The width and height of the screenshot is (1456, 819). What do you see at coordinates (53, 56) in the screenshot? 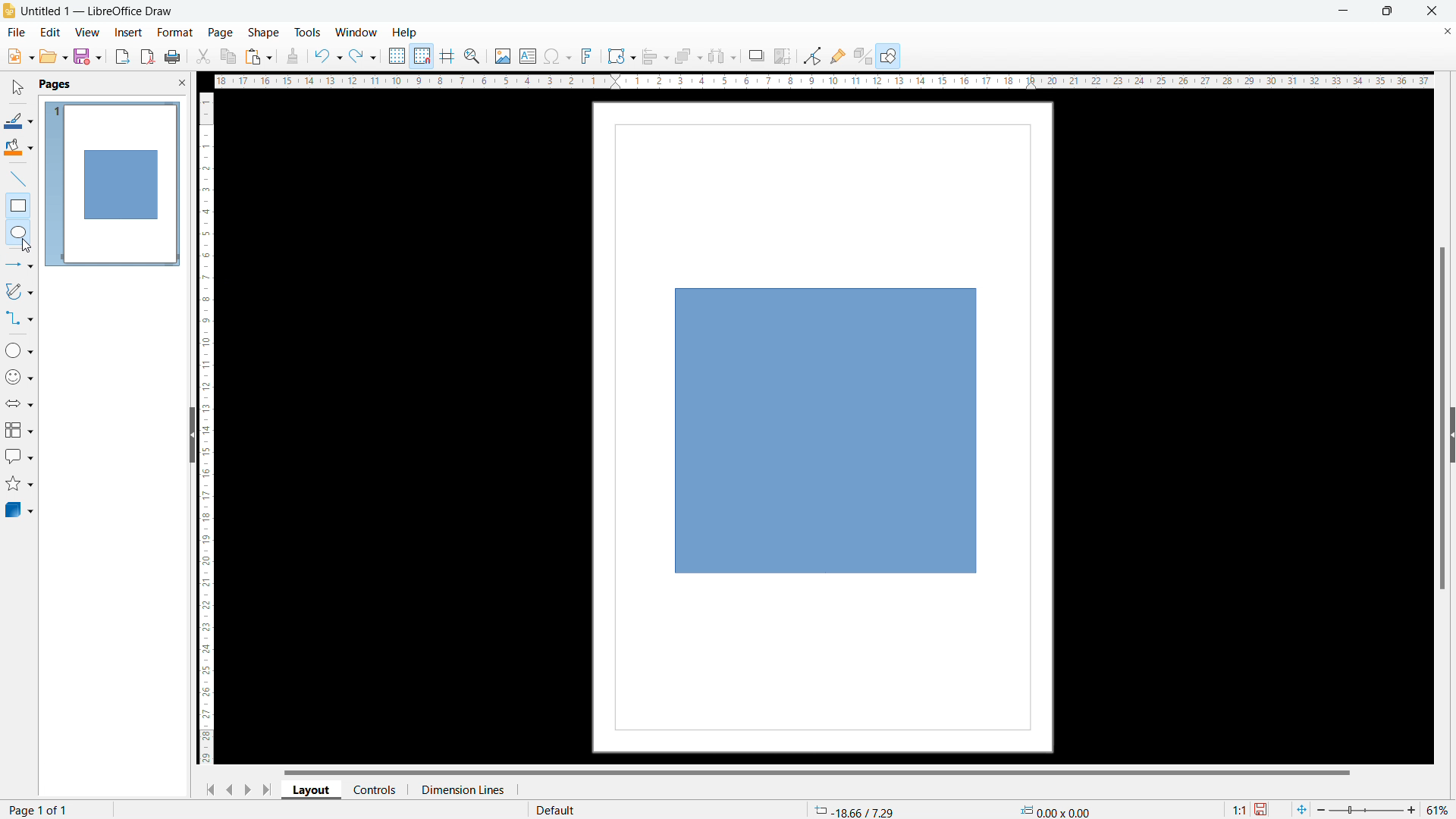
I see `open` at bounding box center [53, 56].